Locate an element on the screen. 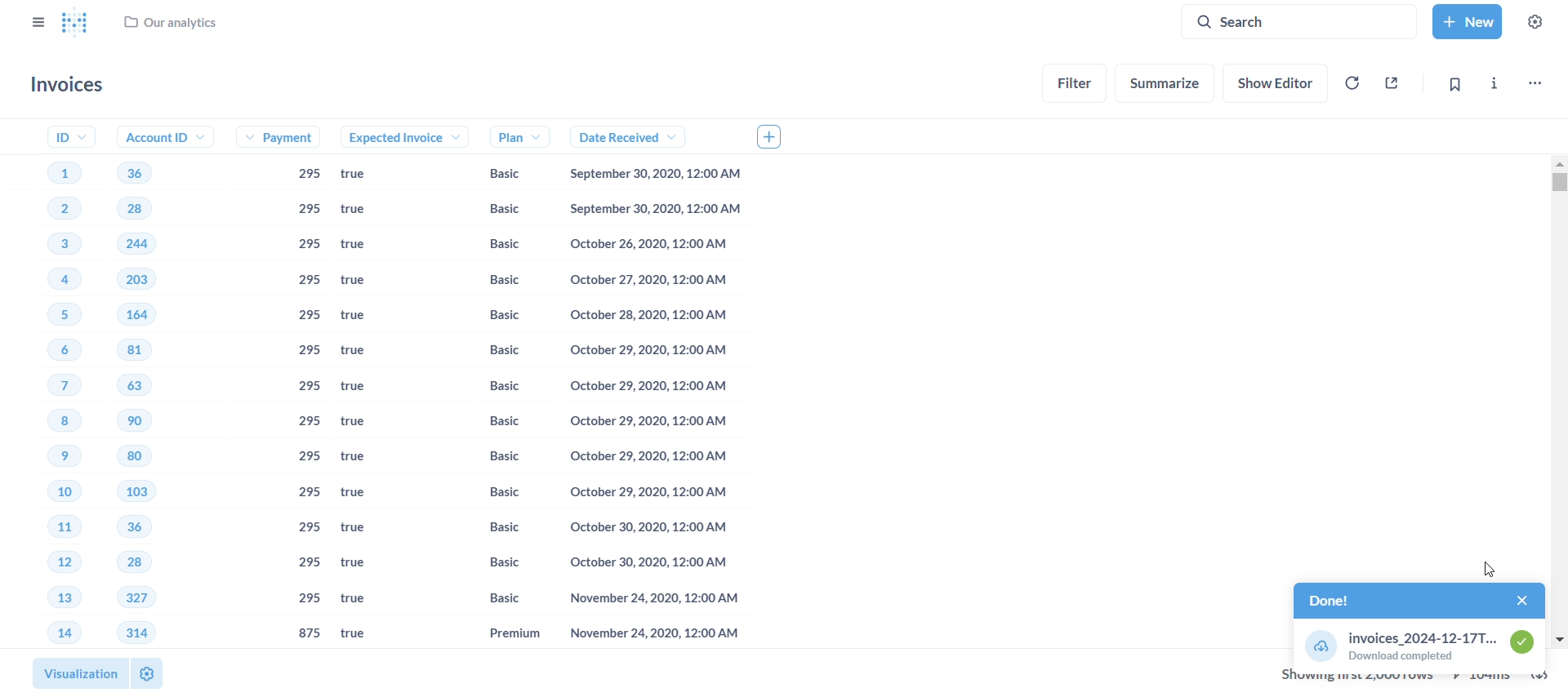 This screenshot has width=1568, height=697. completed icon is located at coordinates (1528, 646).